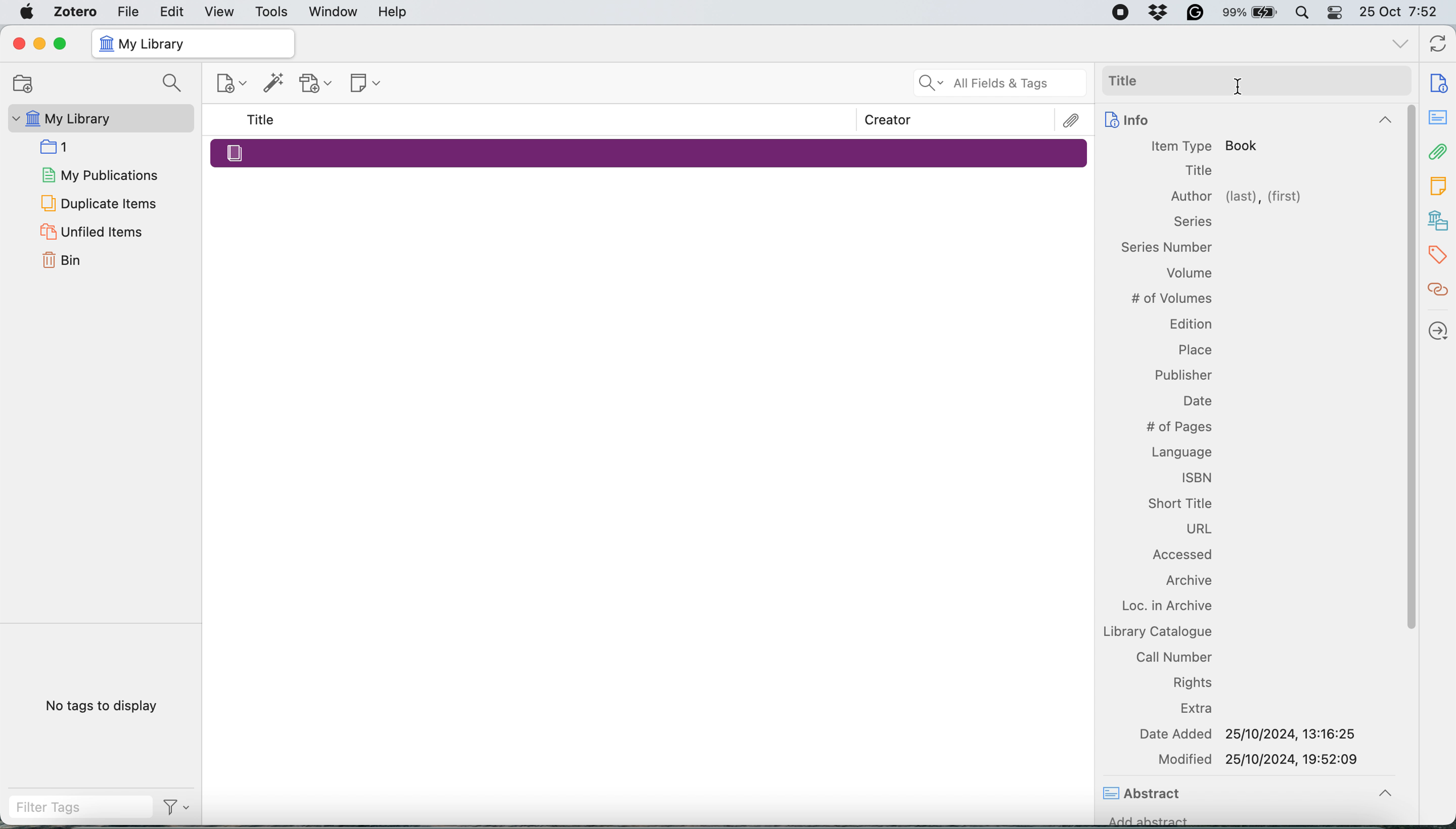 The image size is (1456, 829). What do you see at coordinates (1441, 255) in the screenshot?
I see `Tags` at bounding box center [1441, 255].